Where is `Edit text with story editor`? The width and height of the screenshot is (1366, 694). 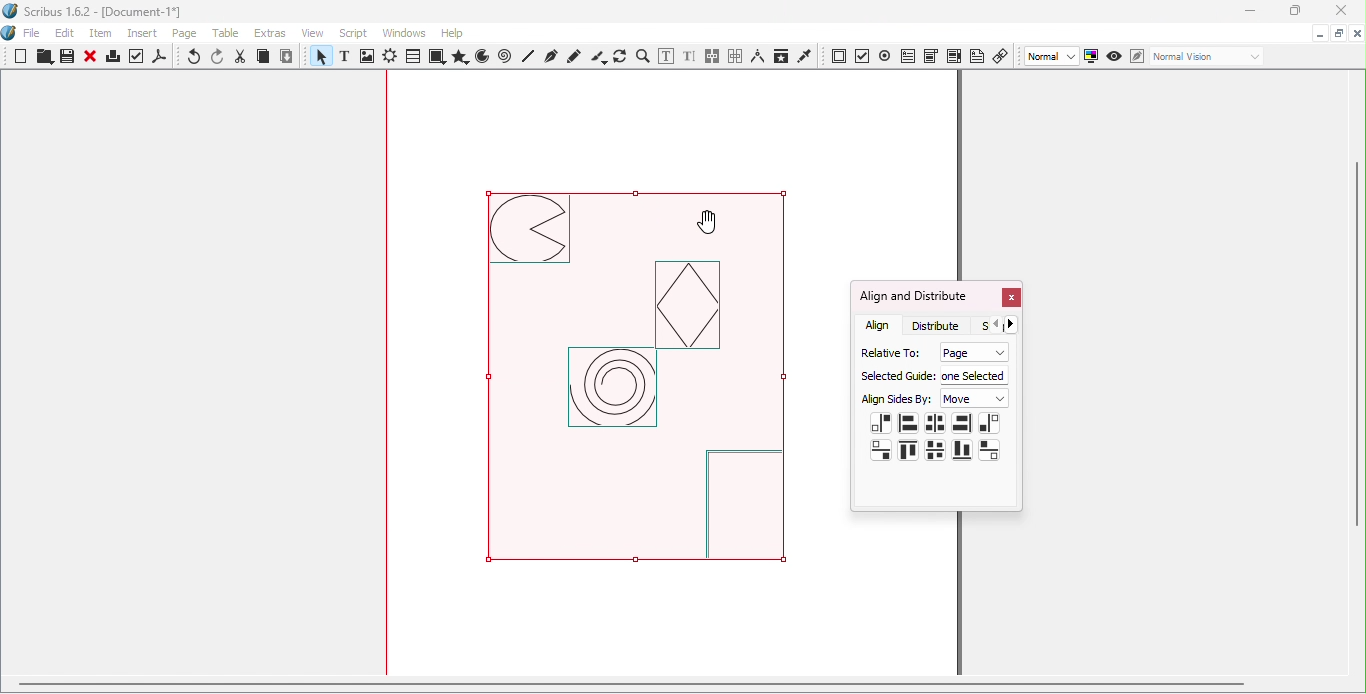
Edit text with story editor is located at coordinates (689, 57).